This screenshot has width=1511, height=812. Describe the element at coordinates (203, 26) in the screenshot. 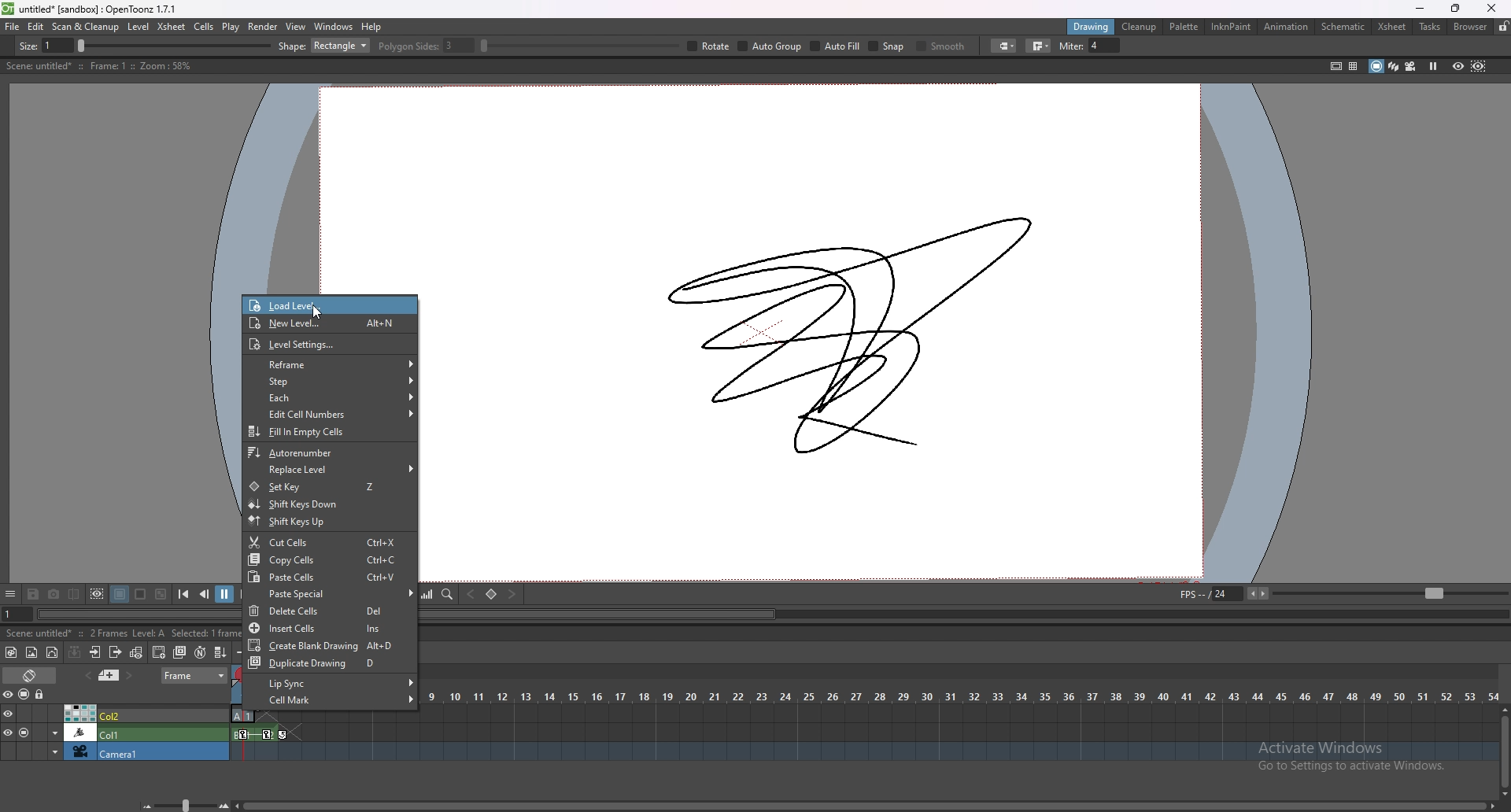

I see `cells` at that location.